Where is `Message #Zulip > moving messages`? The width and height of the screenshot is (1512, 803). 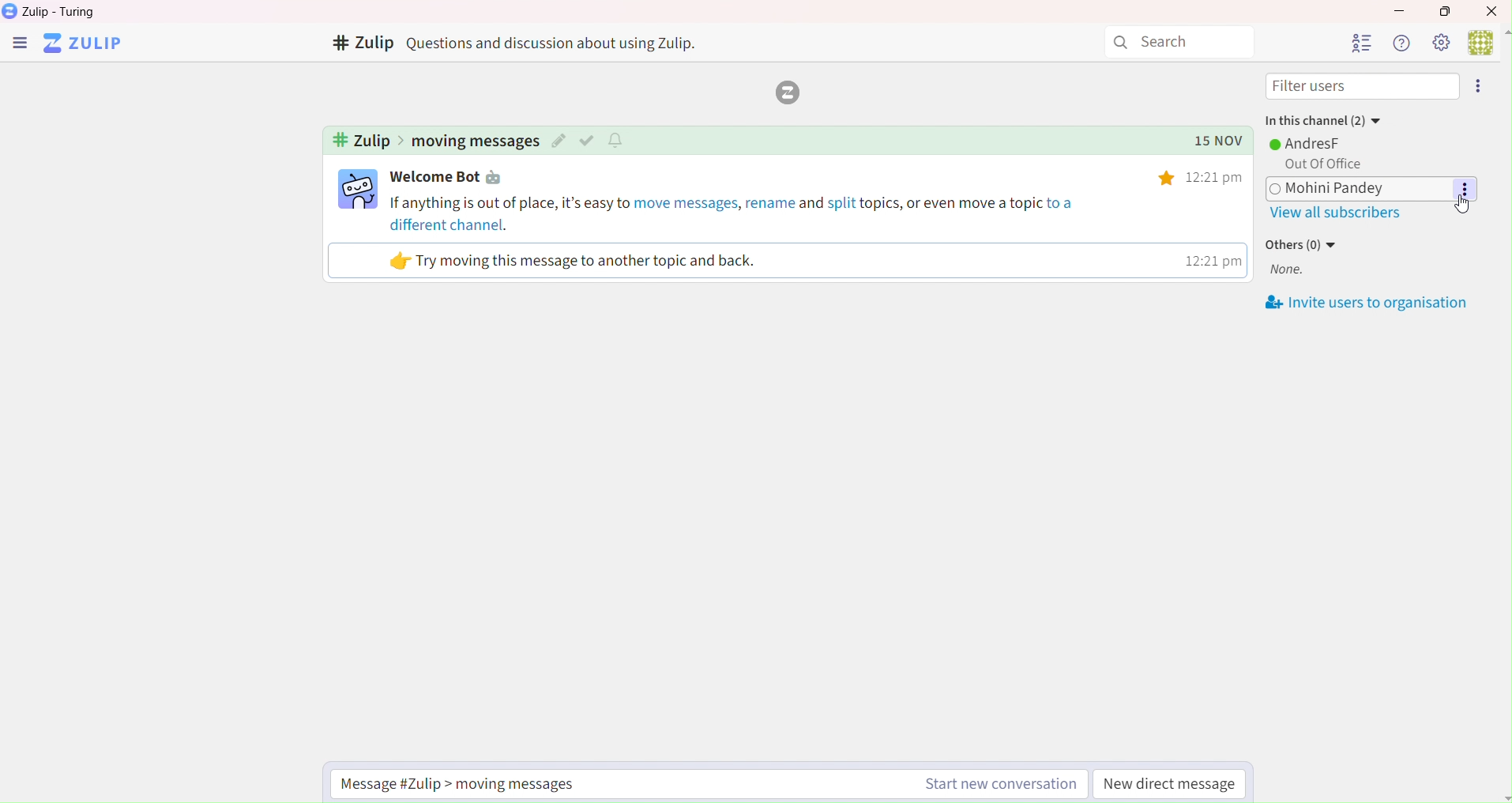 Message #Zulip > moving messages is located at coordinates (469, 783).